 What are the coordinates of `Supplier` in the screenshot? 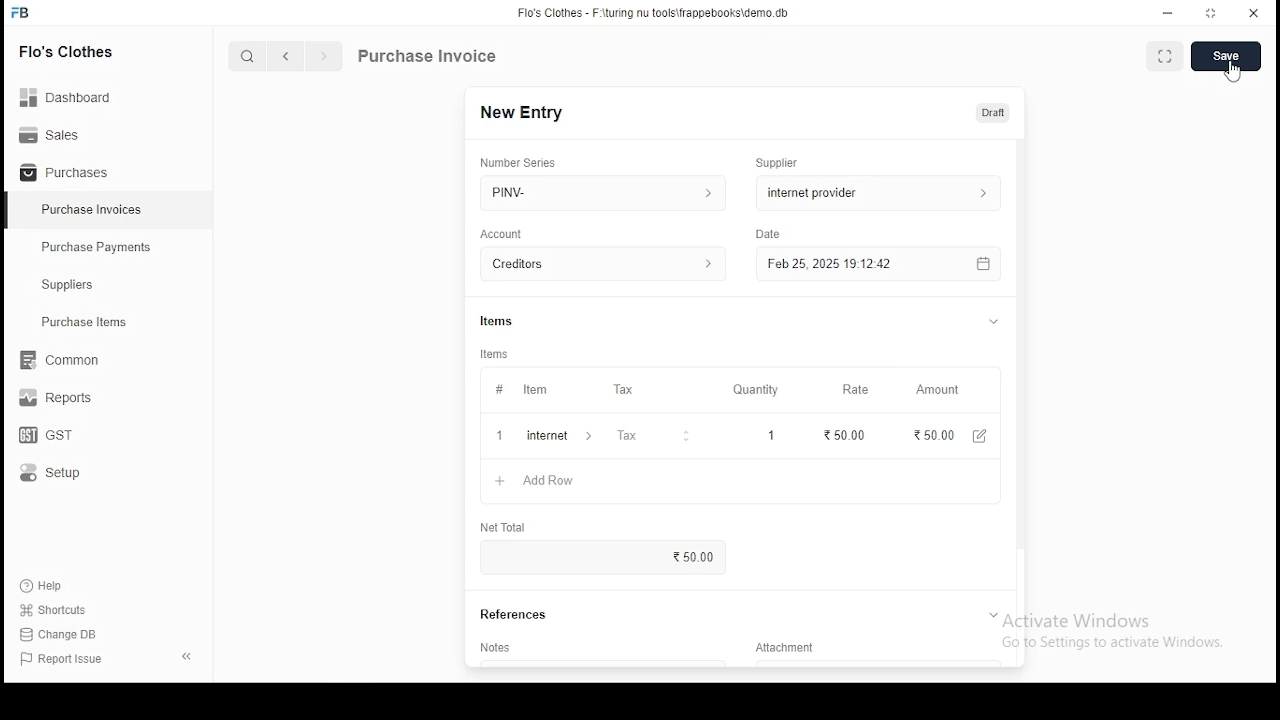 It's located at (778, 163).